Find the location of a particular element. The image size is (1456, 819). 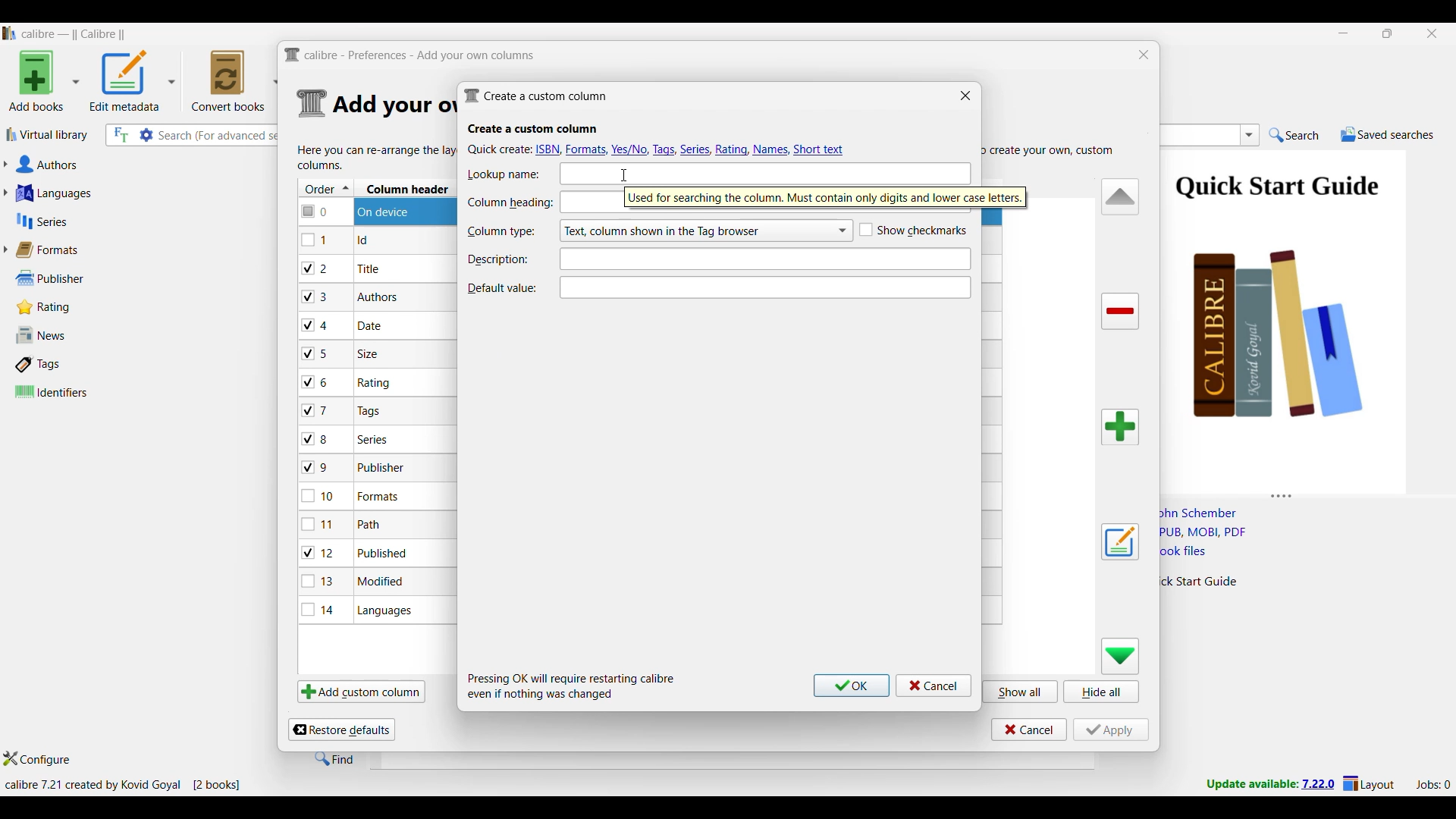

Languages is located at coordinates (115, 193).